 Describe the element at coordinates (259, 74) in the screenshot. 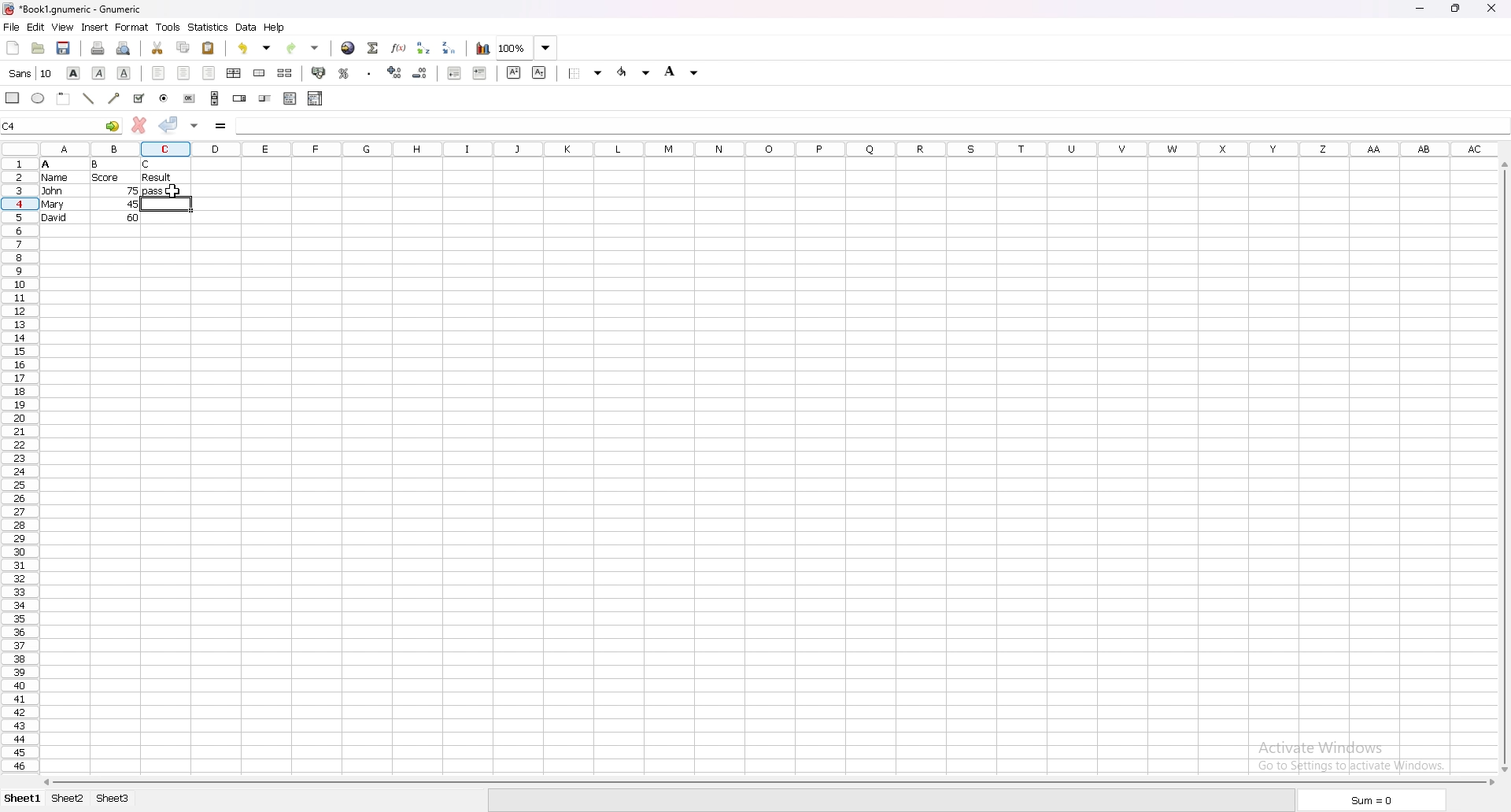

I see `merged cell` at that location.